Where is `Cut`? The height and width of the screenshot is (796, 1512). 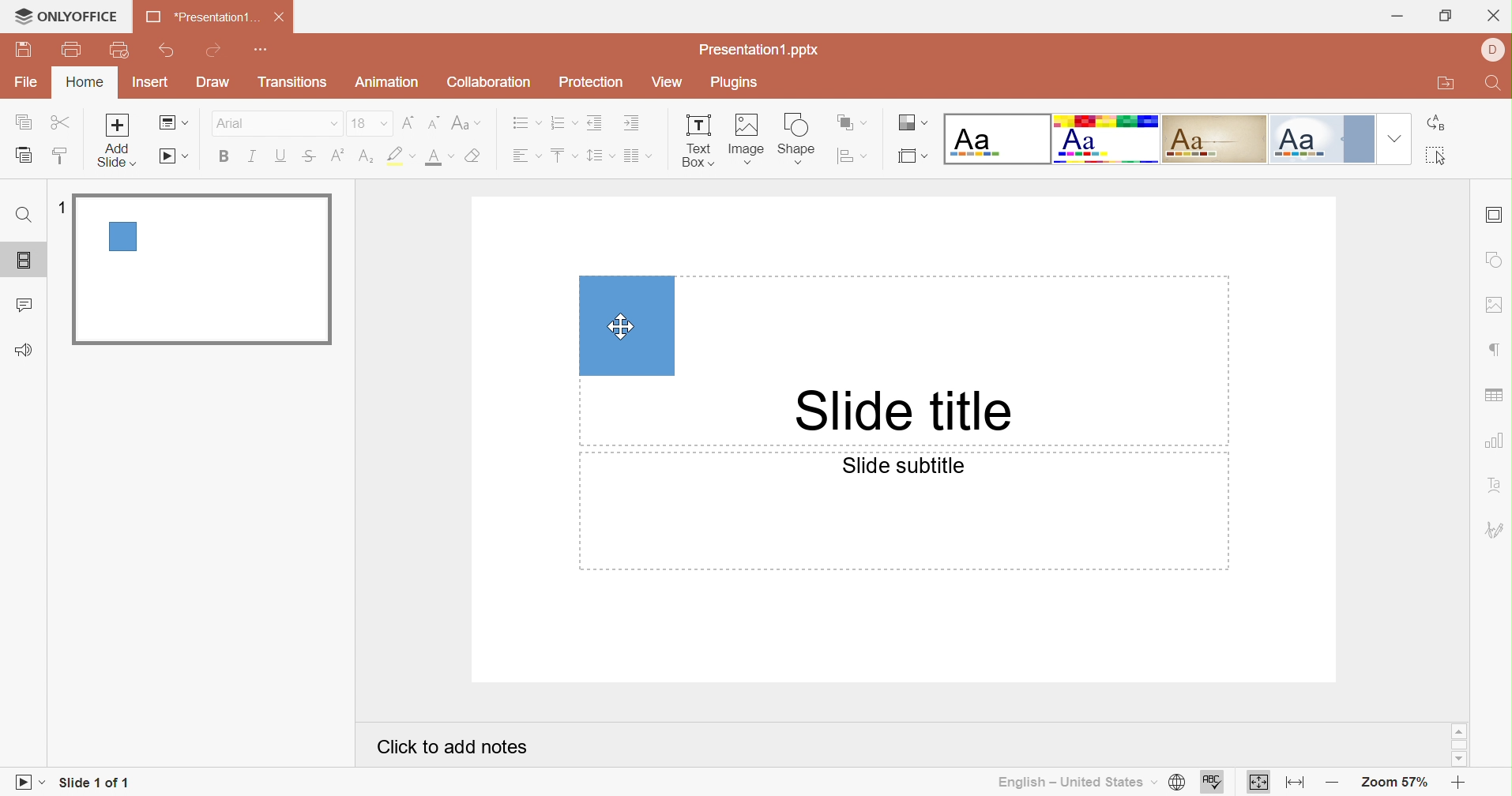 Cut is located at coordinates (63, 123).